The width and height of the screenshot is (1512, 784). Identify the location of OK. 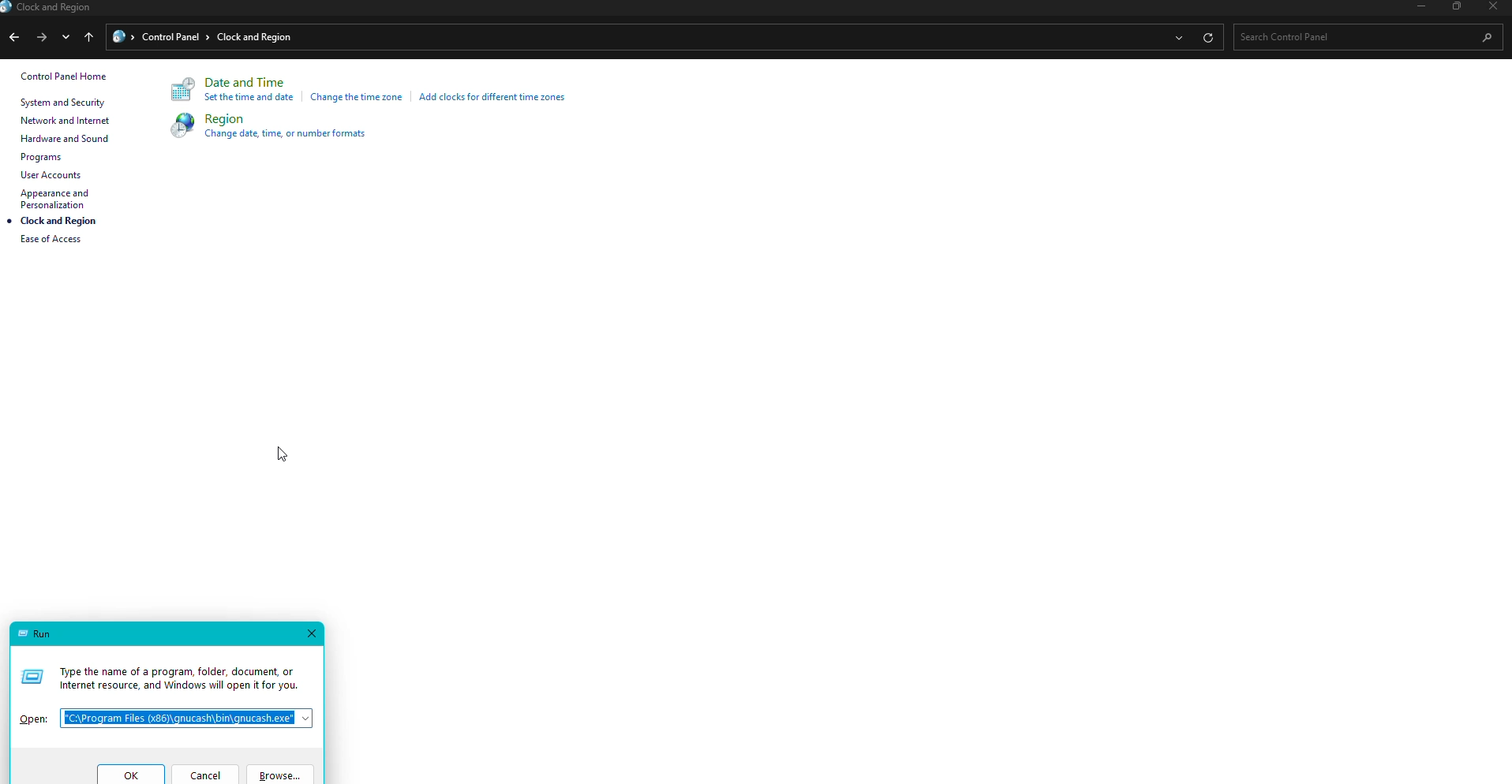
(128, 774).